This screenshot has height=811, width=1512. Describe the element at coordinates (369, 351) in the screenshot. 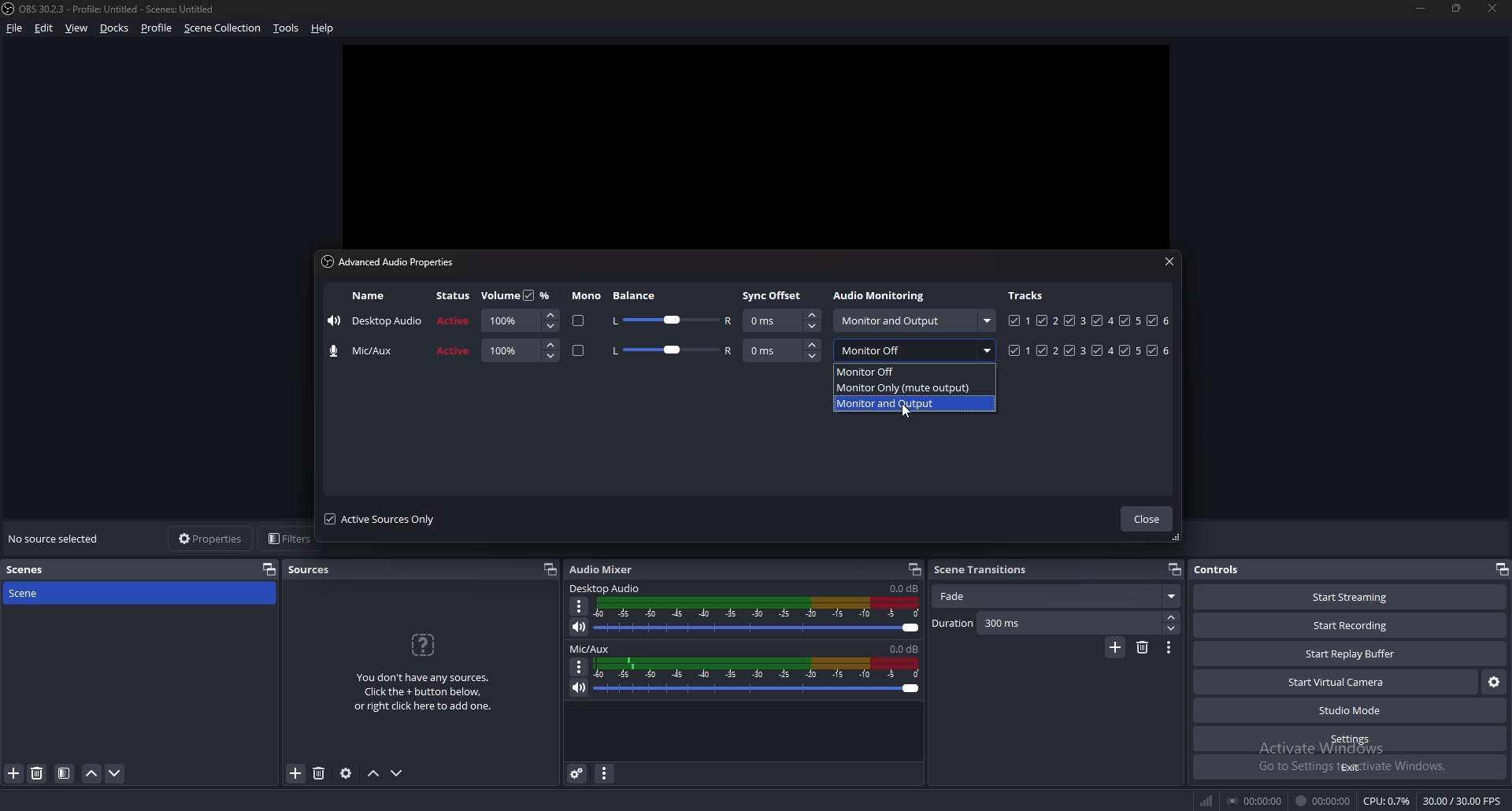

I see `name` at that location.